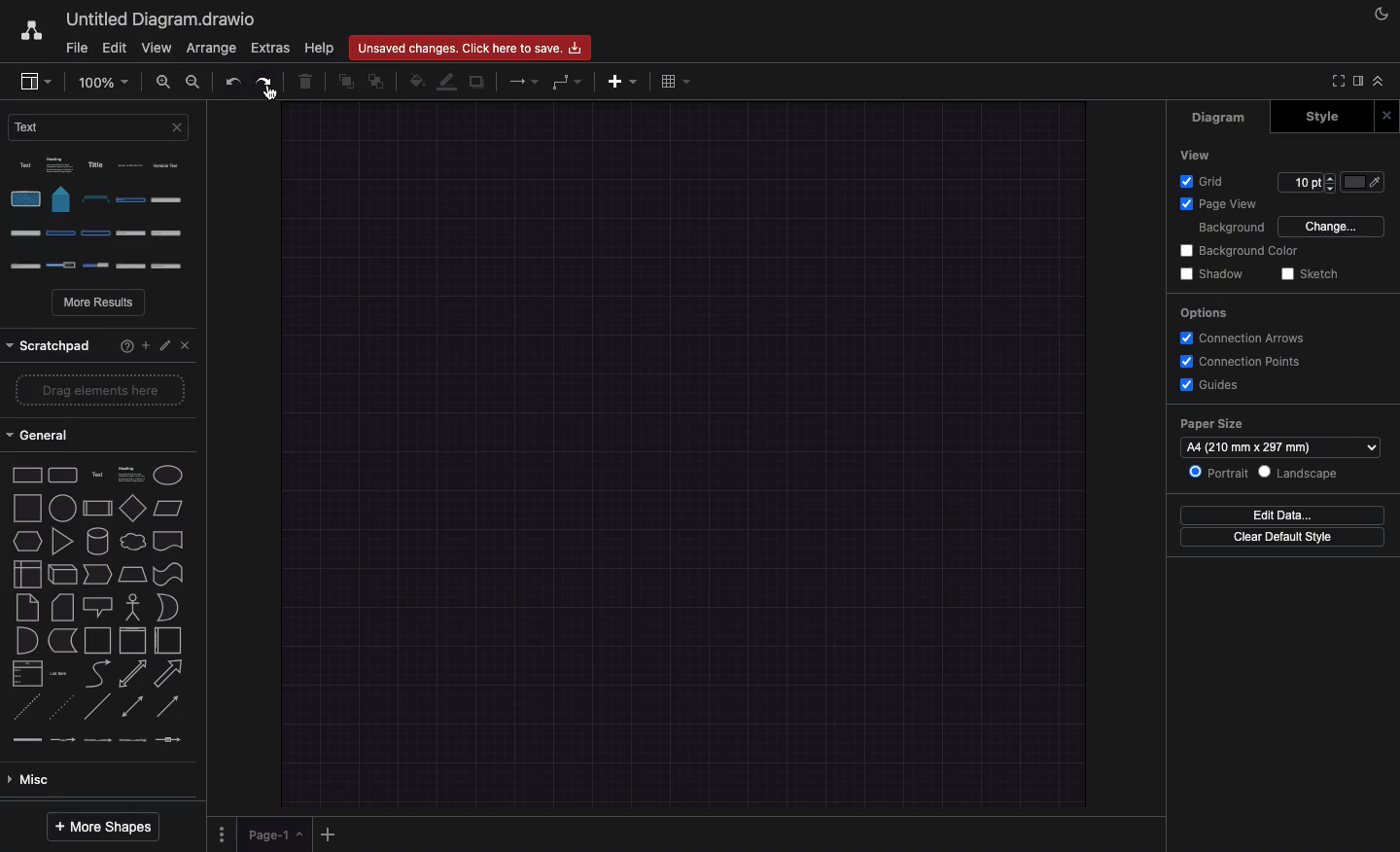 This screenshot has height=852, width=1400. Describe the element at coordinates (1230, 228) in the screenshot. I see `Background` at that location.